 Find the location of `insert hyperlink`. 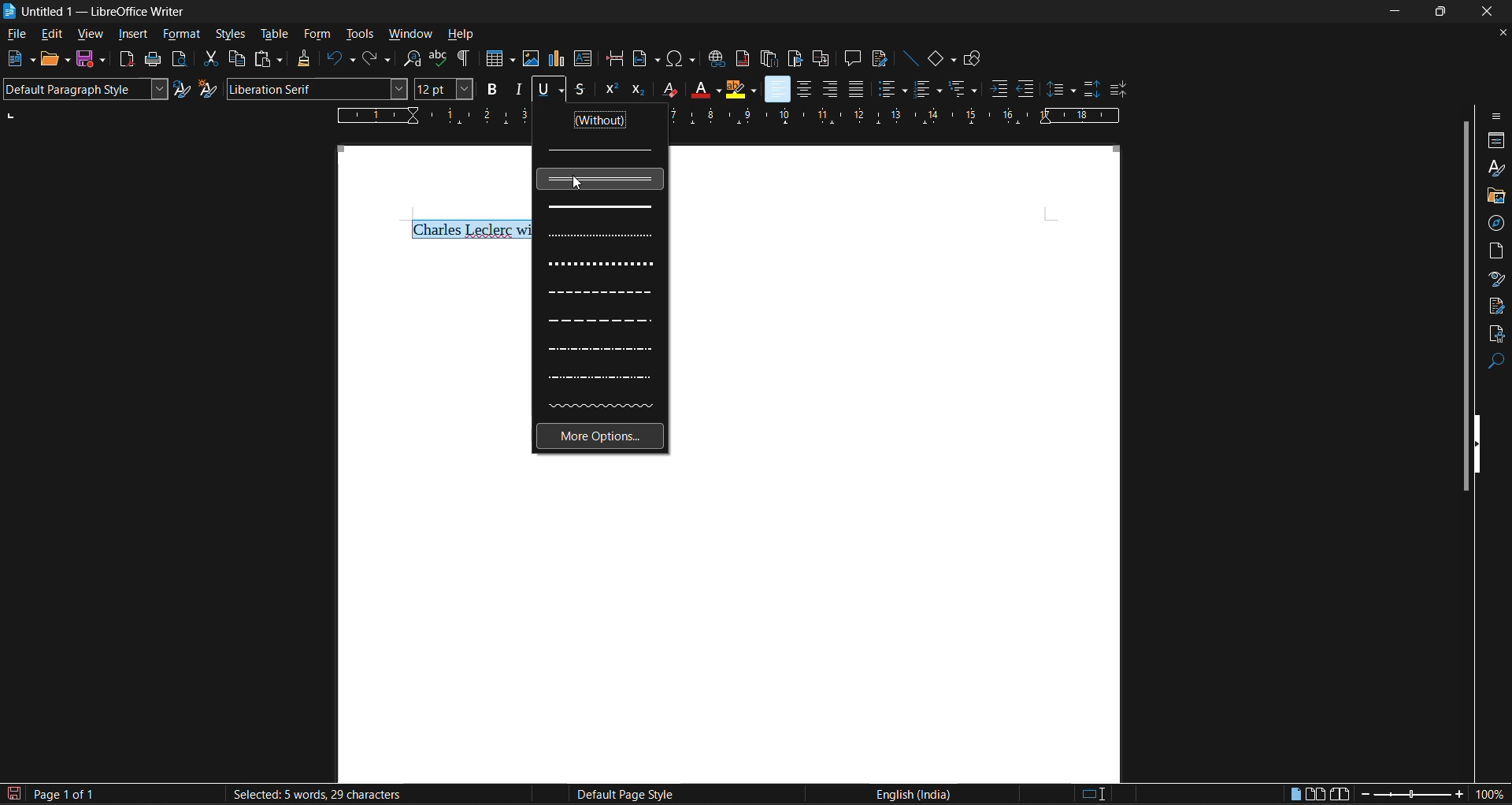

insert hyperlink is located at coordinates (717, 61).